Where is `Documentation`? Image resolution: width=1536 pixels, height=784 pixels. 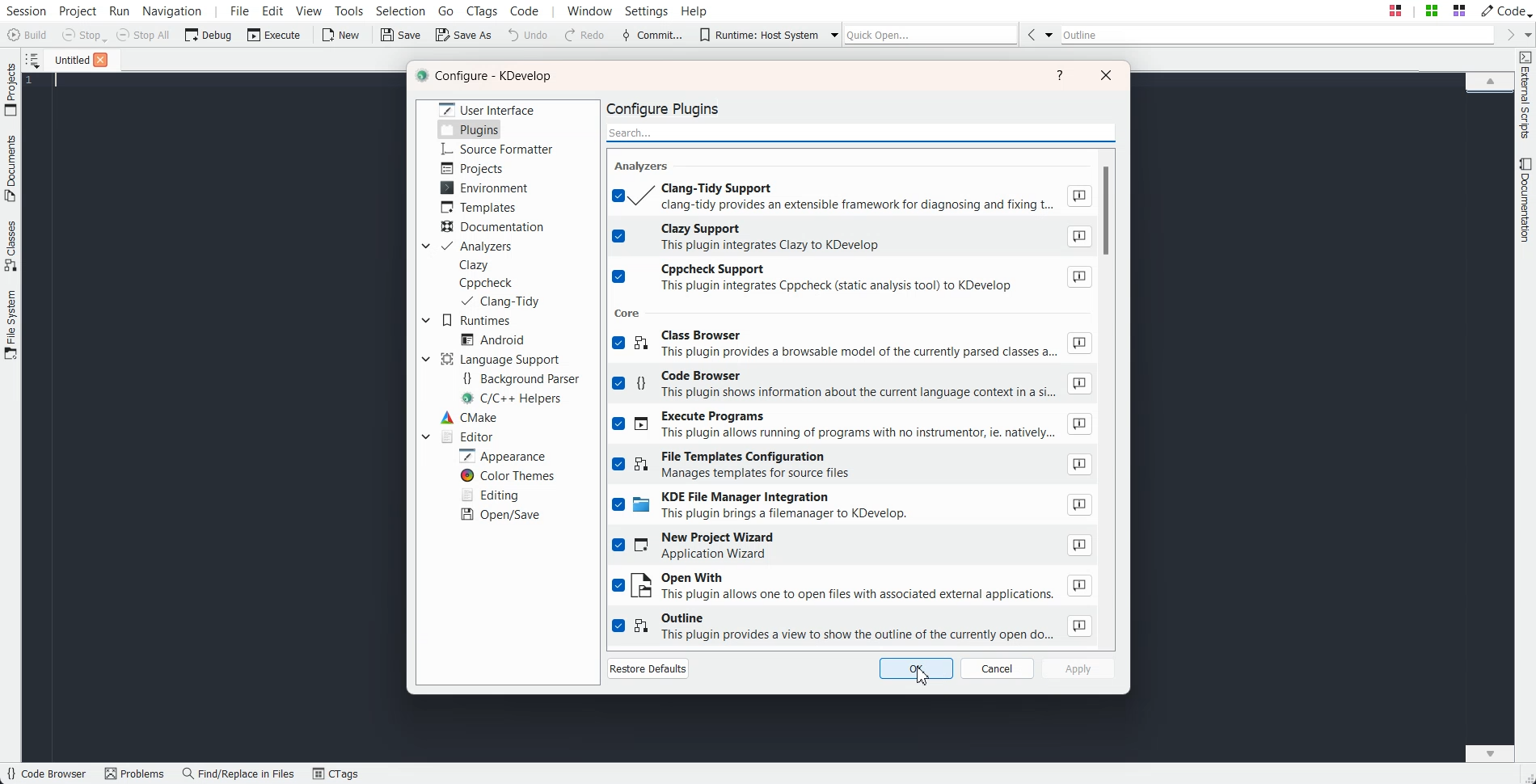 Documentation is located at coordinates (495, 227).